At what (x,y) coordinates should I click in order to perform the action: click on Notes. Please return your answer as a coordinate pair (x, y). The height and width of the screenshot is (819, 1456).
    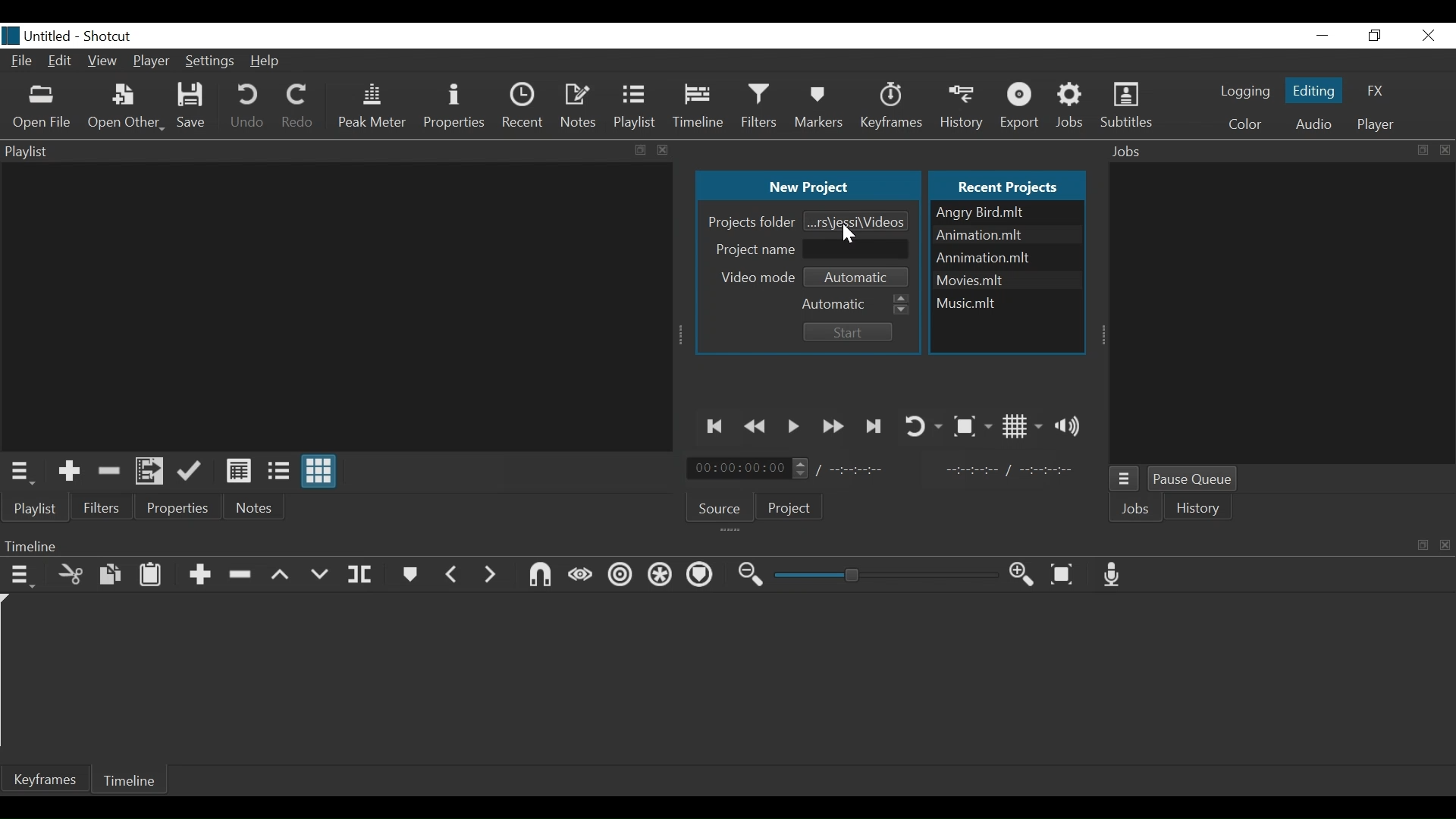
    Looking at the image, I should click on (256, 507).